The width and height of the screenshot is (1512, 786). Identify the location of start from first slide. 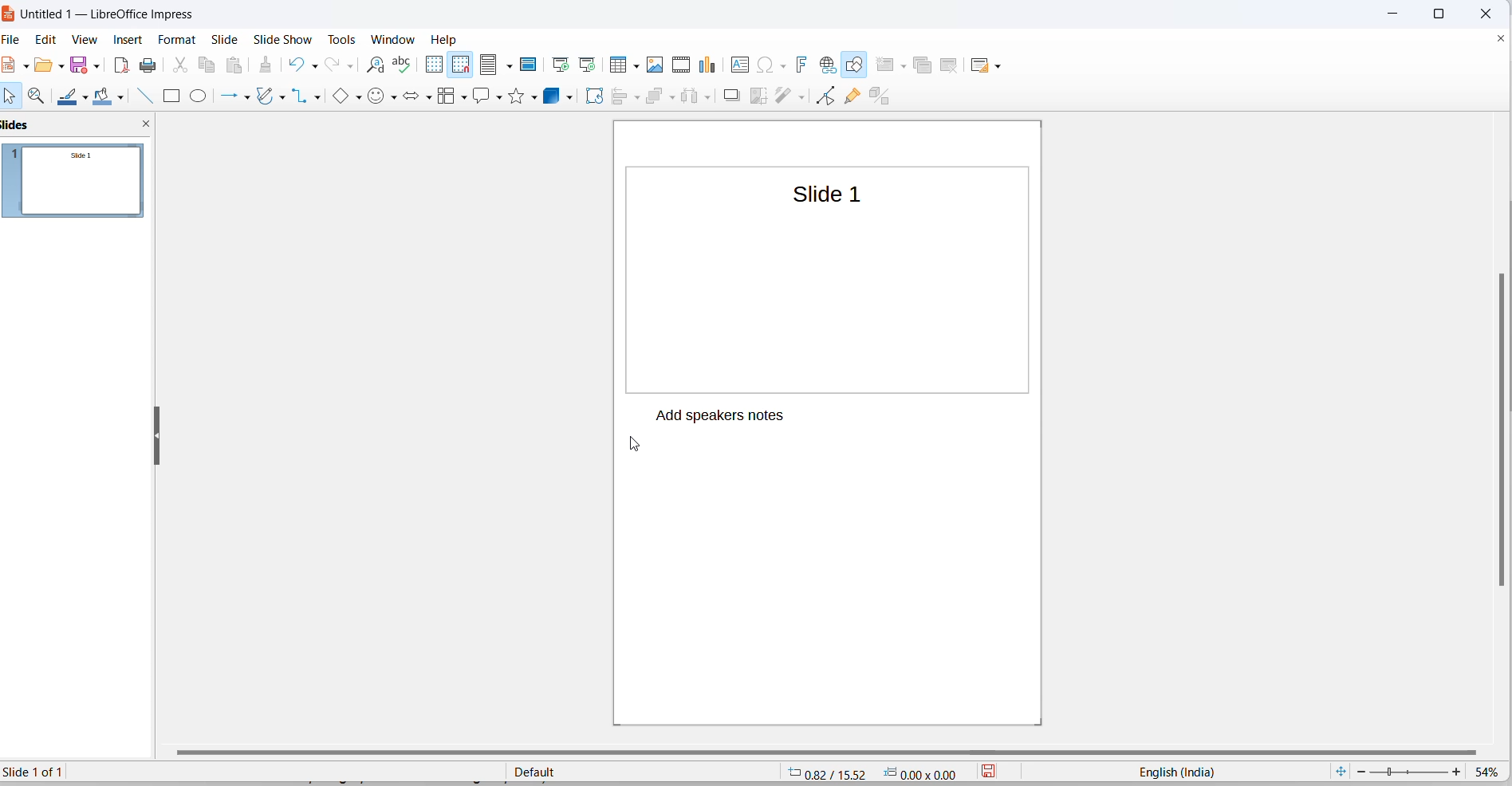
(561, 64).